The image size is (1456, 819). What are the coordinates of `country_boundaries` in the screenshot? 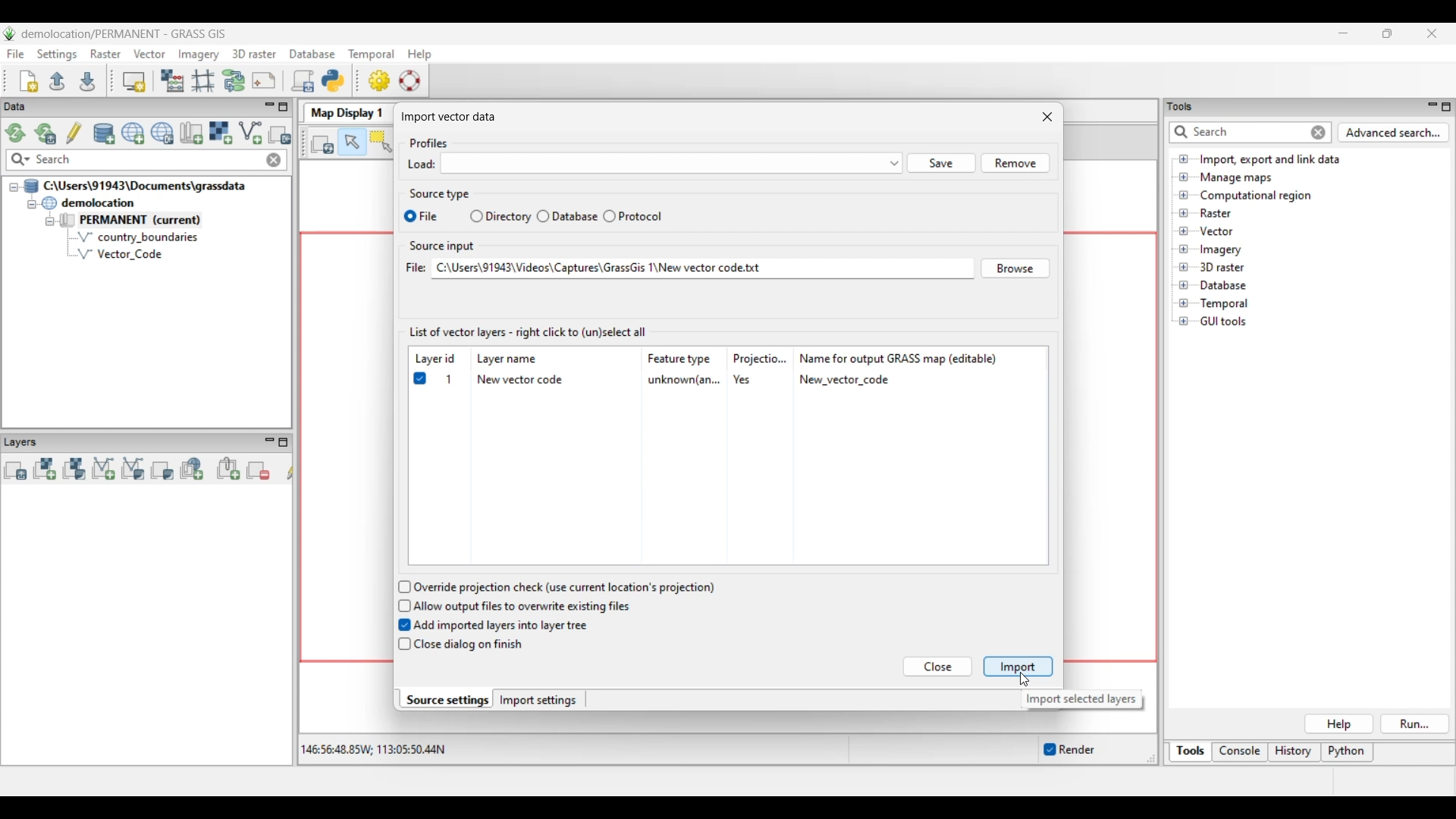 It's located at (138, 237).